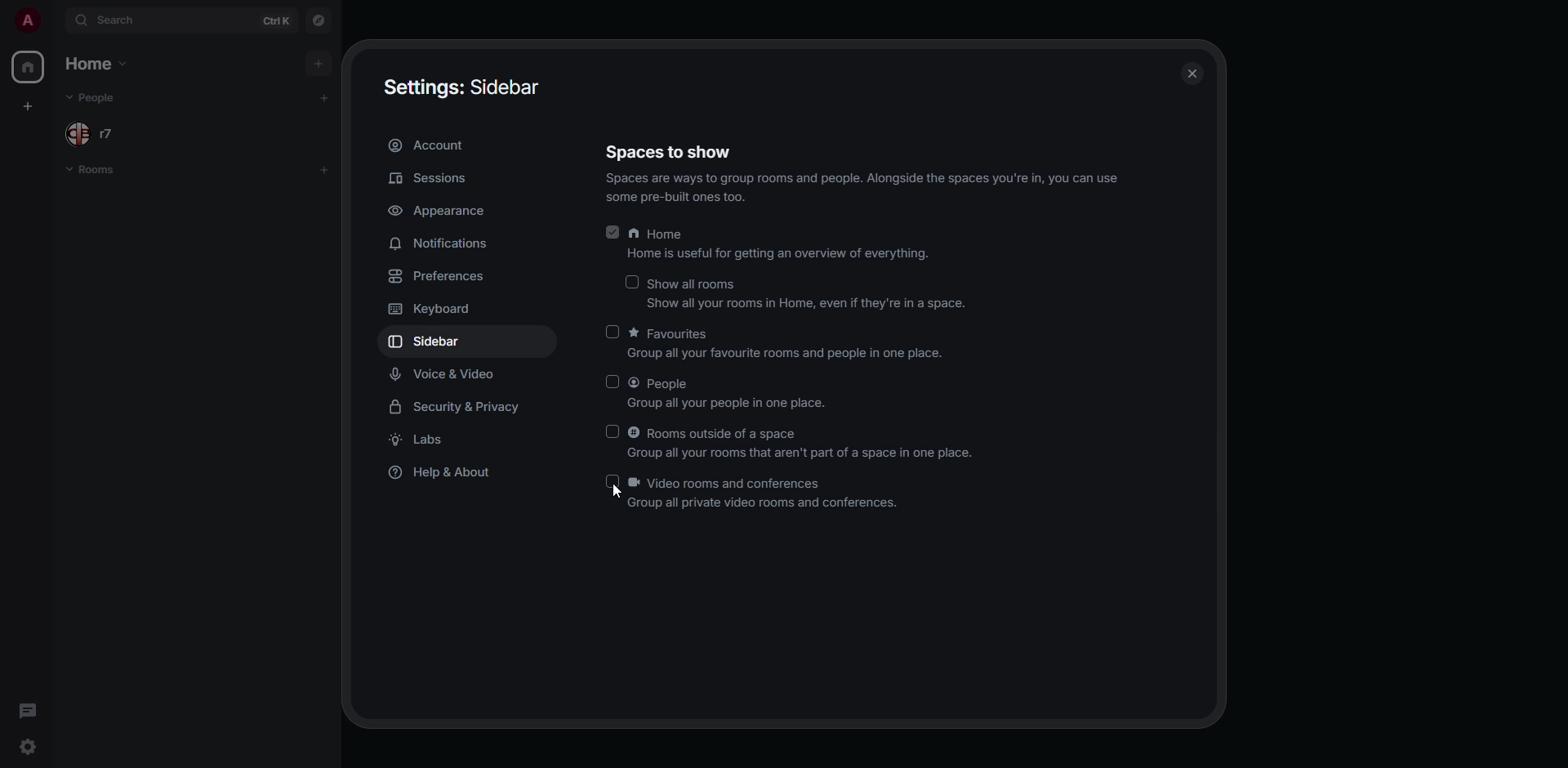 This screenshot has width=1568, height=768. Describe the element at coordinates (325, 168) in the screenshot. I see `add` at that location.